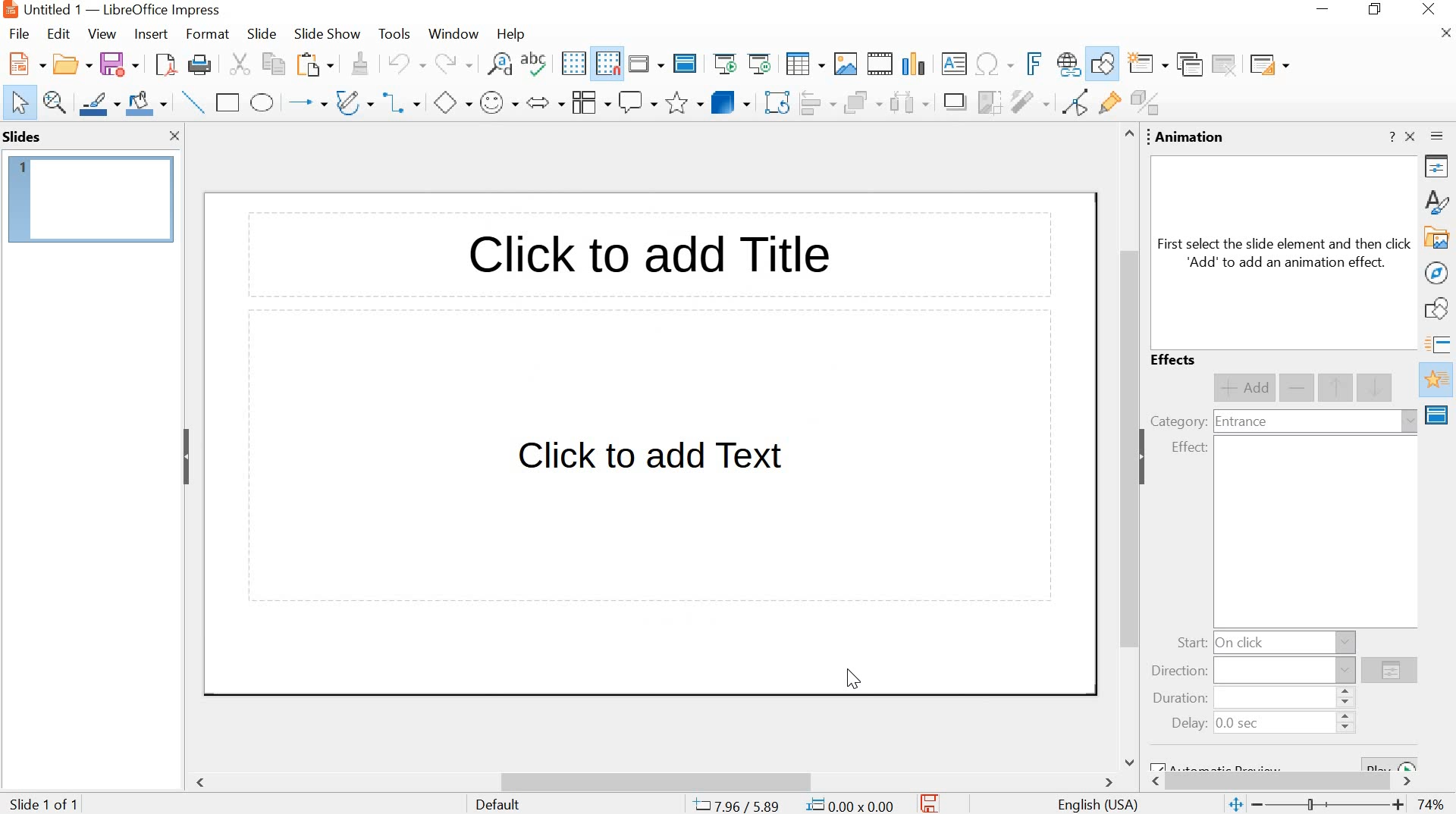 This screenshot has height=814, width=1456. I want to click on help about this sidebar deck, so click(1391, 136).